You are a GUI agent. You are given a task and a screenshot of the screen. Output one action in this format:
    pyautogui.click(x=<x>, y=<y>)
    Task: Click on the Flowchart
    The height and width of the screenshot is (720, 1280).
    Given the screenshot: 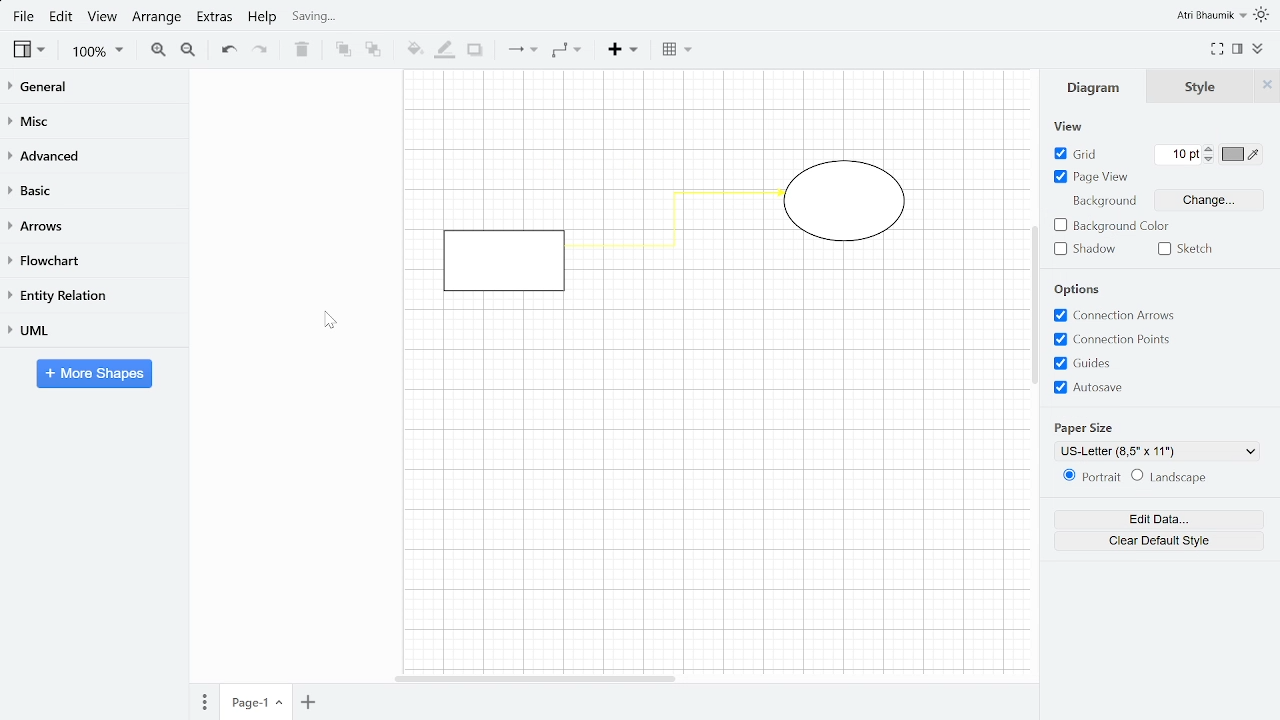 What is the action you would take?
    pyautogui.click(x=89, y=260)
    